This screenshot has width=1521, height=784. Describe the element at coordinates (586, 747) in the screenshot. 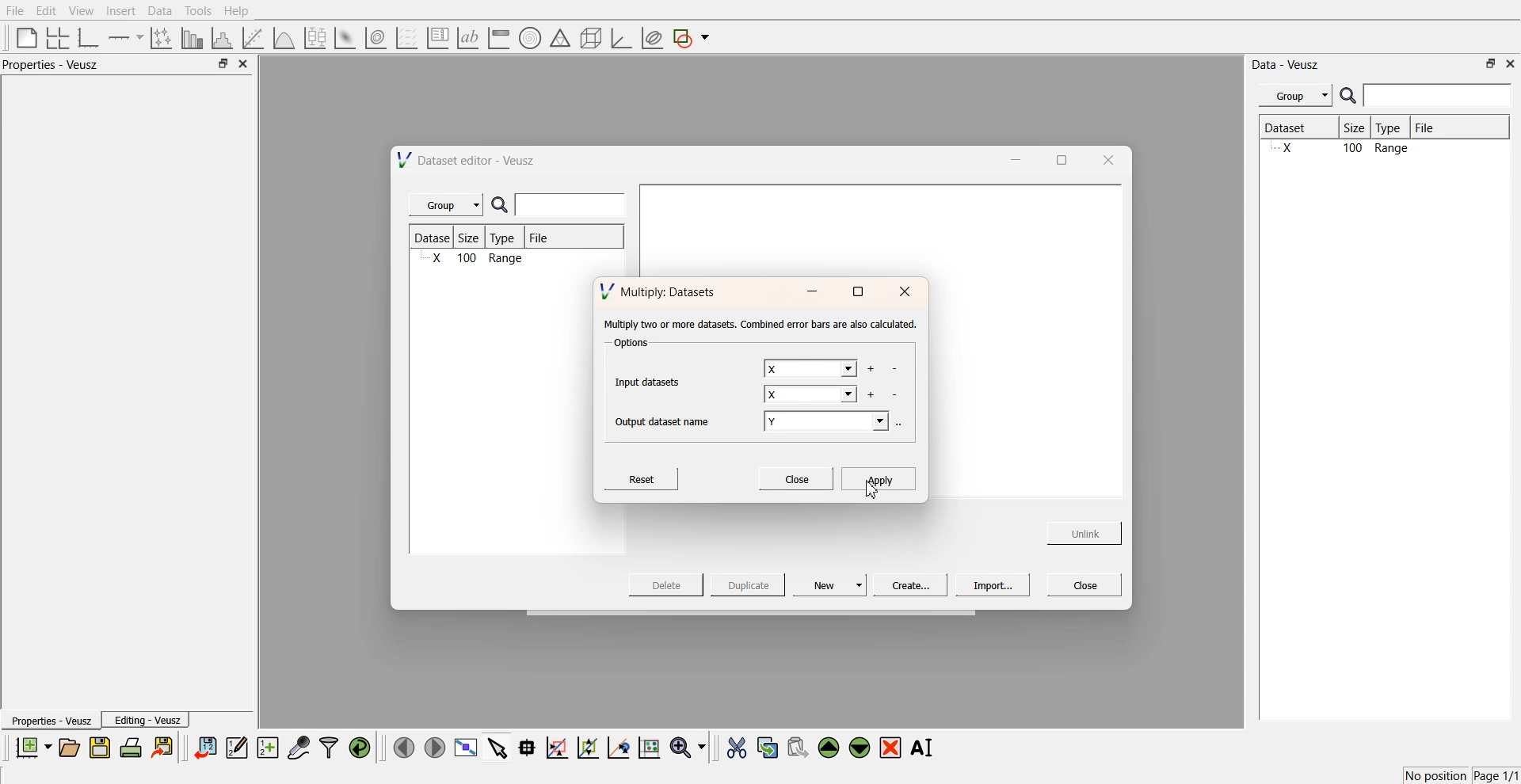

I see `zoom out the graph axes` at that location.